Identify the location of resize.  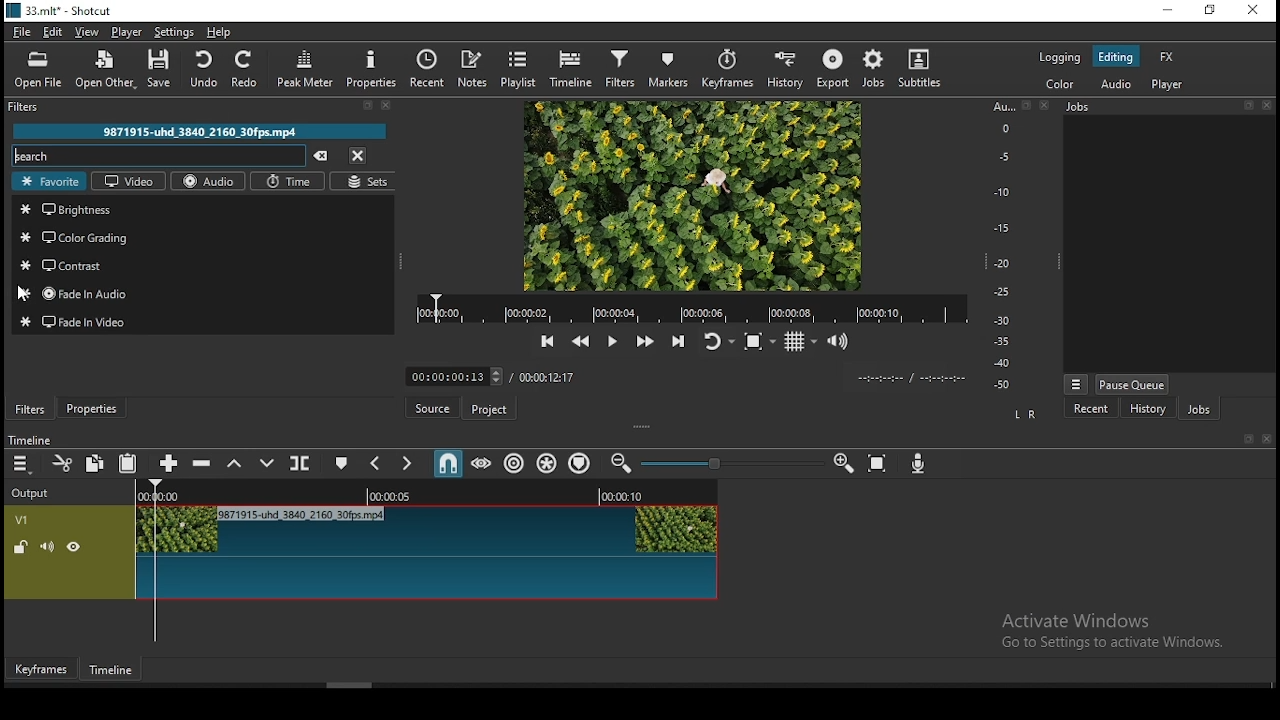
(1247, 105).